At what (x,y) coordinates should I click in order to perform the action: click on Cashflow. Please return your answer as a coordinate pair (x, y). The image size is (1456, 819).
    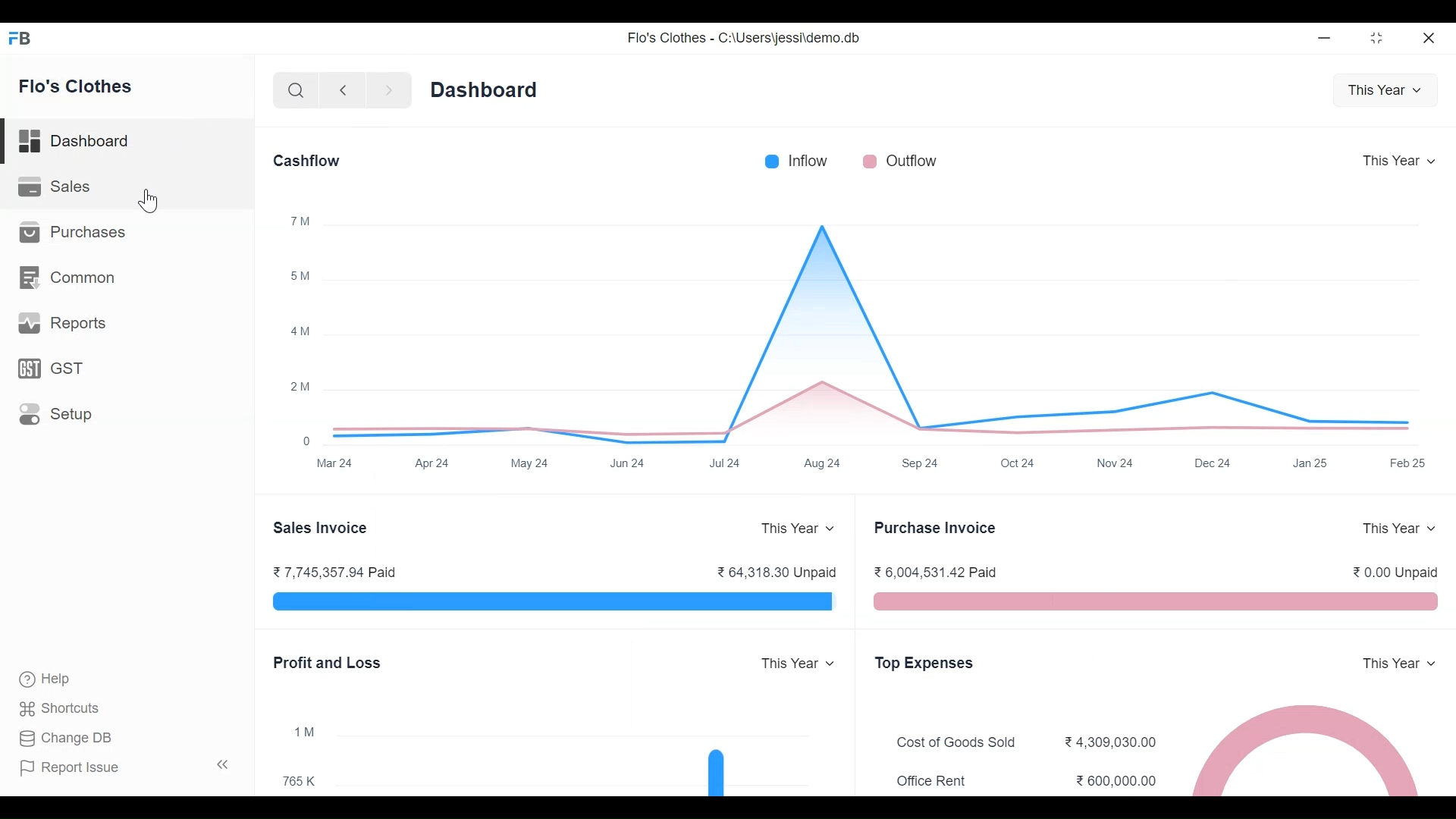
    Looking at the image, I should click on (307, 162).